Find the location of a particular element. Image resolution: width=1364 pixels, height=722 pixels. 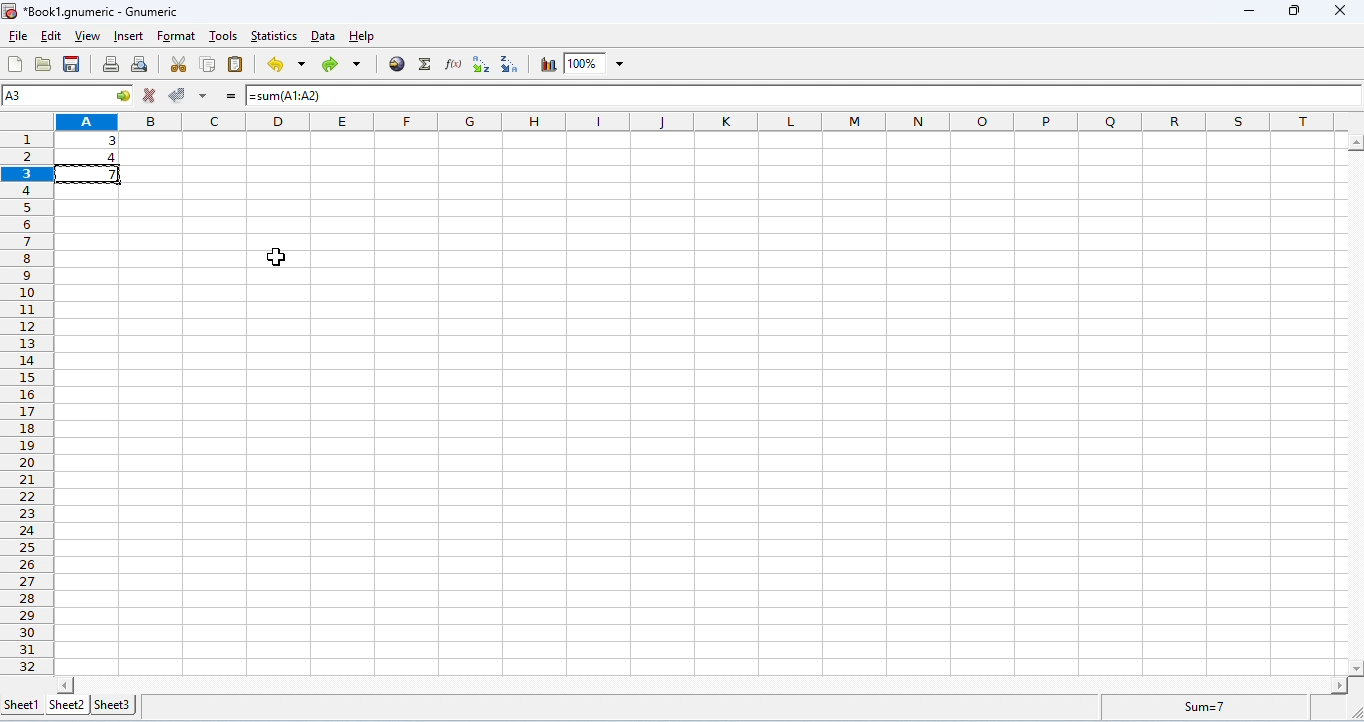

= is located at coordinates (231, 99).